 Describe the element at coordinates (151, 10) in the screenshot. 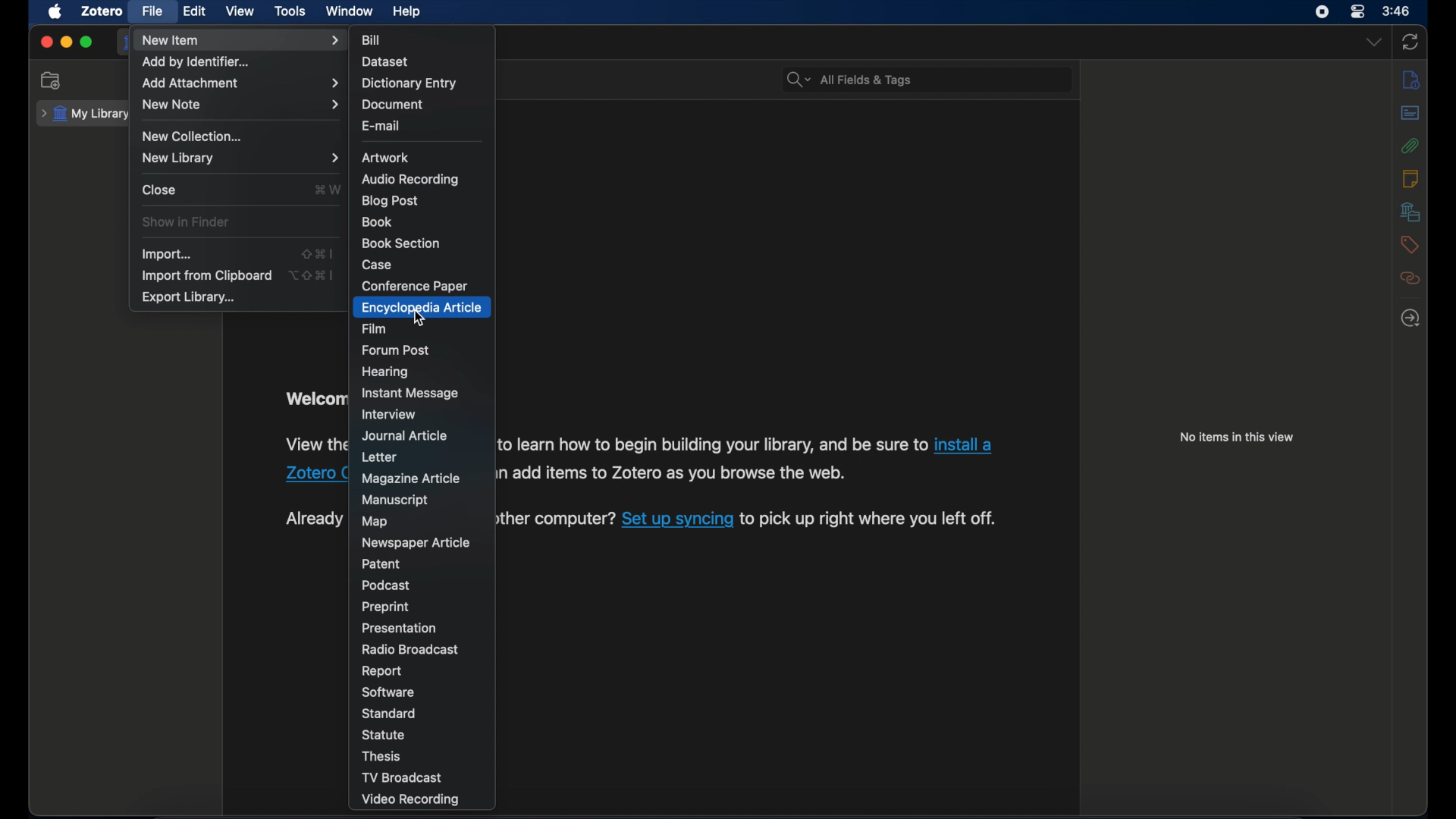

I see `file` at that location.